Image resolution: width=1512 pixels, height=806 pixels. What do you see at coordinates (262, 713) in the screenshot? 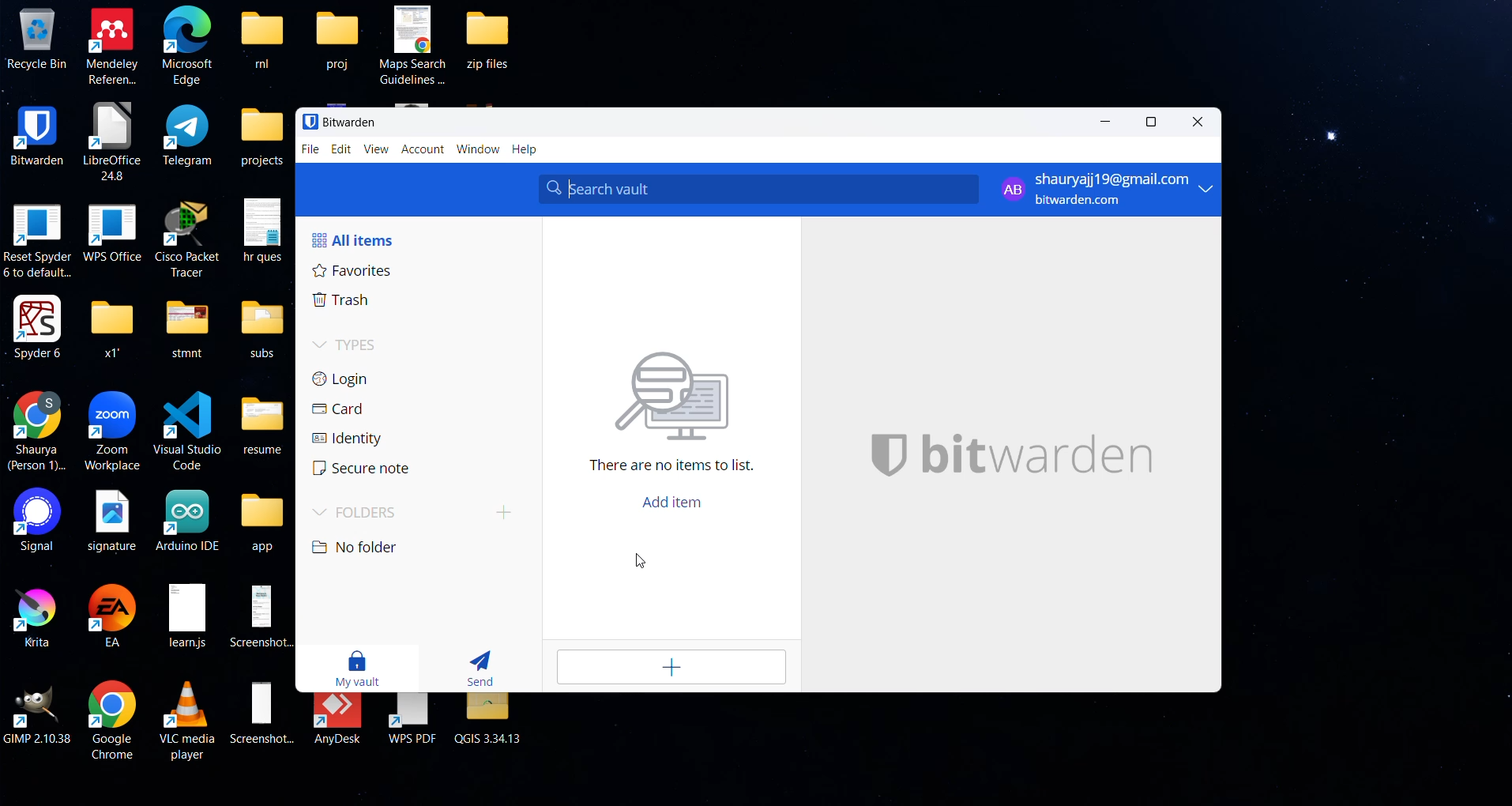
I see `Screenshot...` at bounding box center [262, 713].